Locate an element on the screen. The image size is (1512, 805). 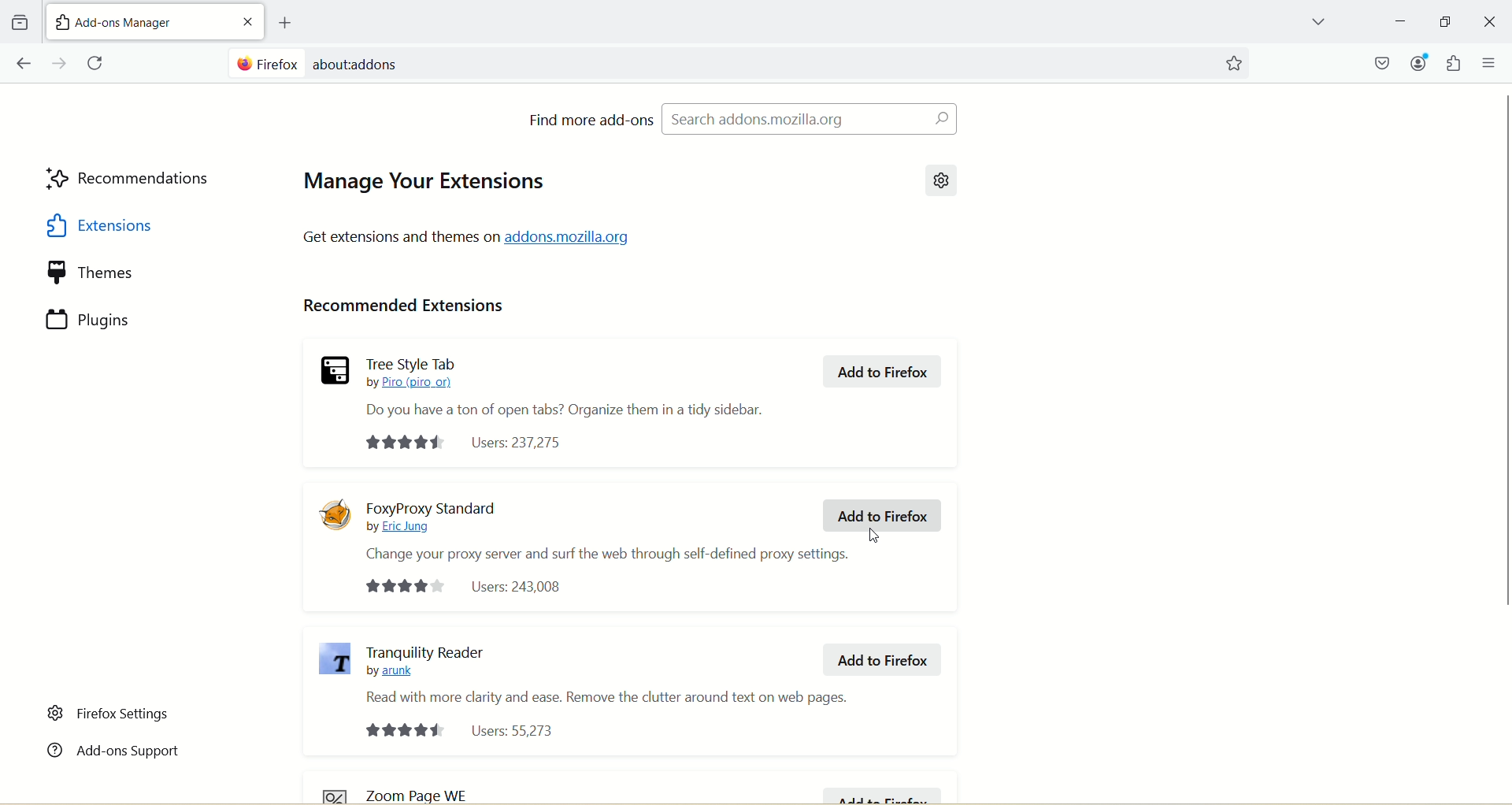
Recommendation is located at coordinates (130, 180).